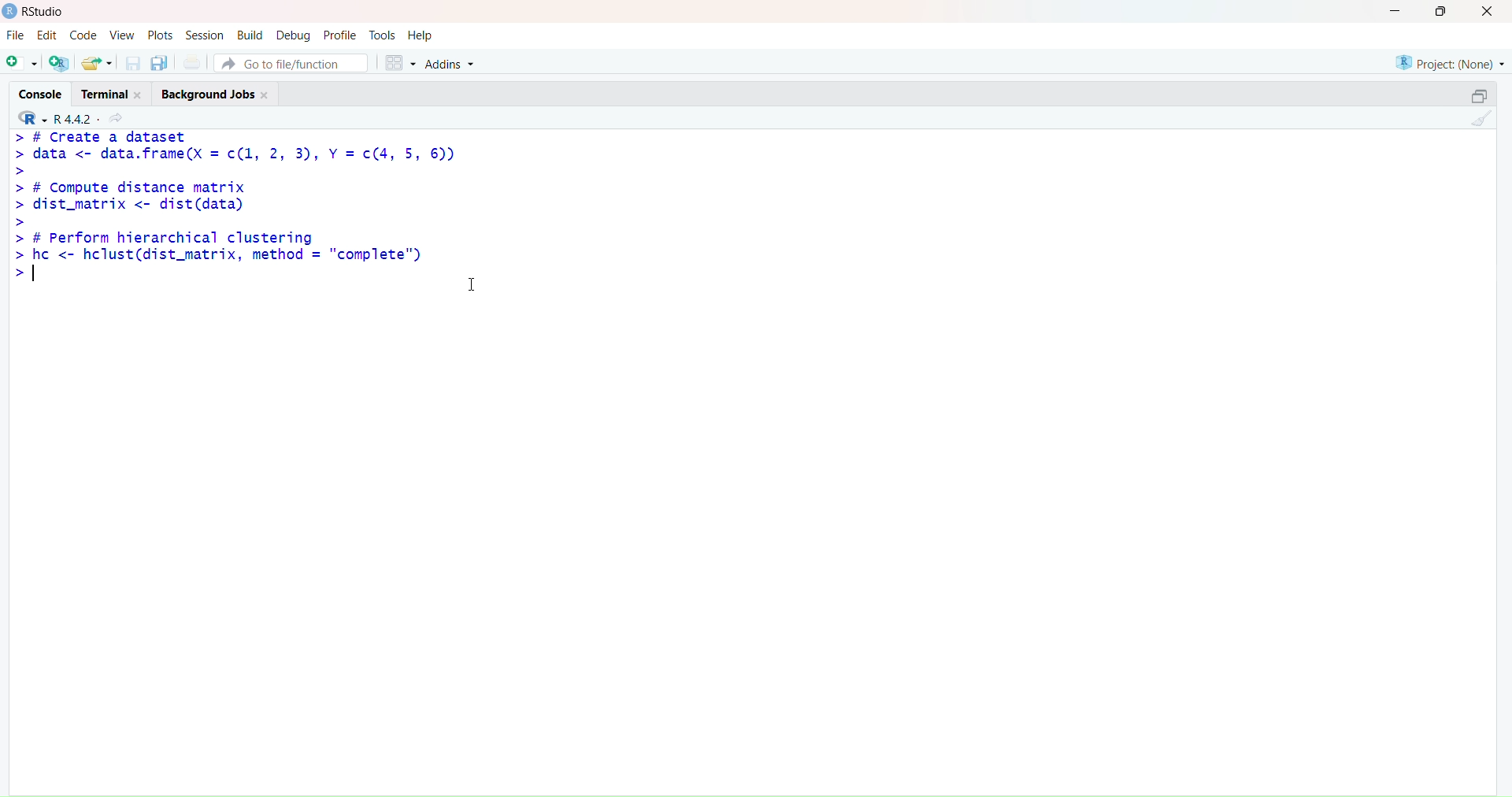  I want to click on Build, so click(250, 36).